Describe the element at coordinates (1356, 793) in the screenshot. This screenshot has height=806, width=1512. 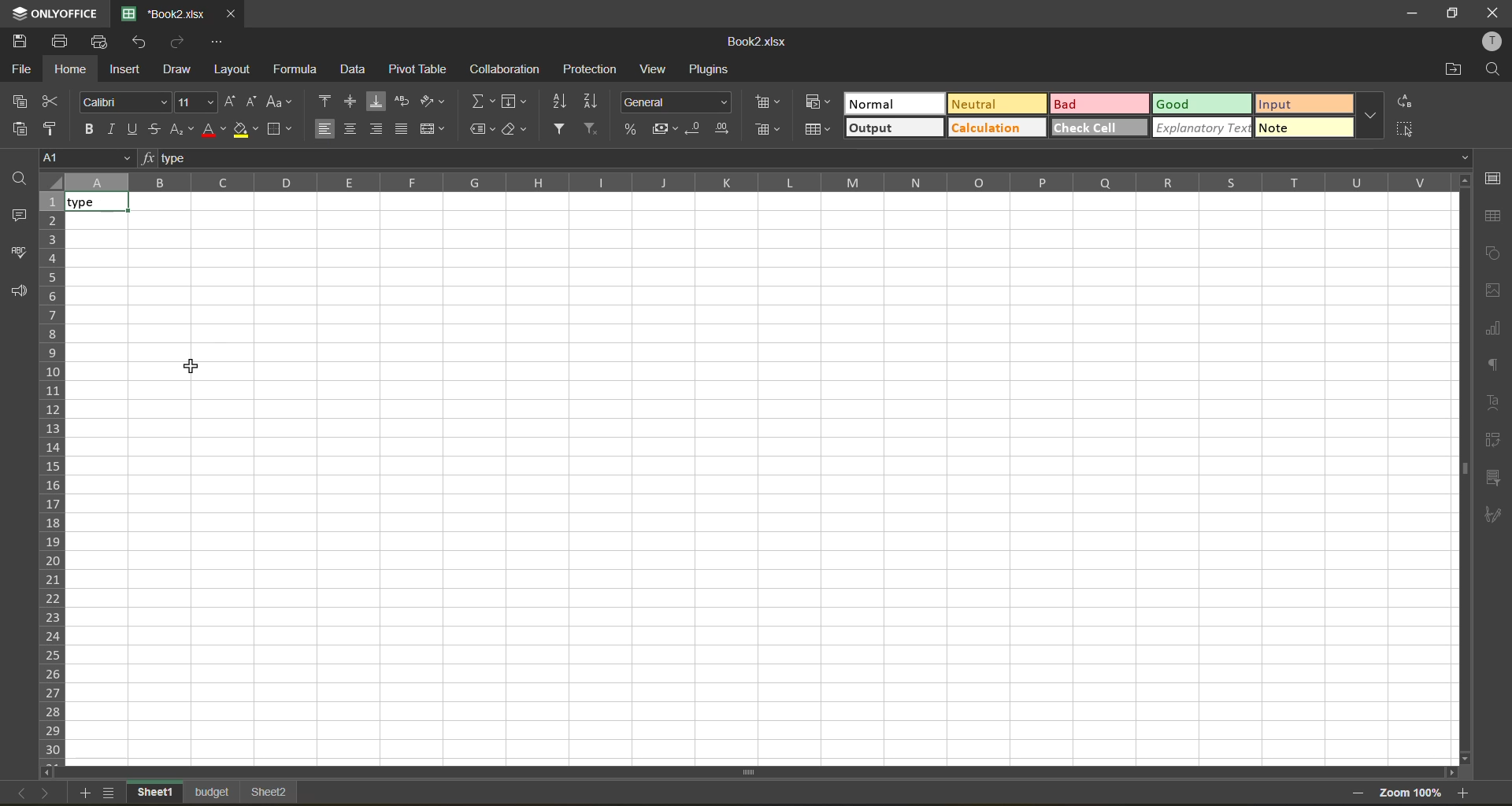
I see `zoom out` at that location.